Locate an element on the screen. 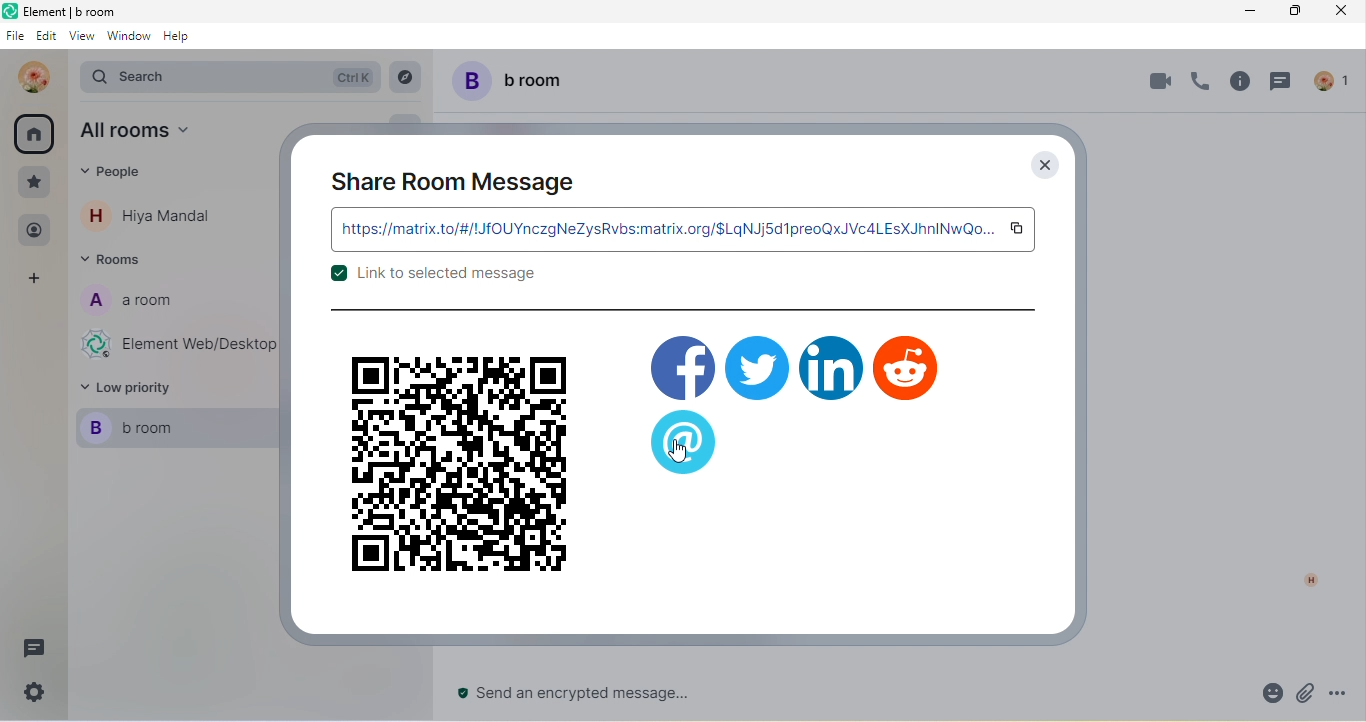 This screenshot has width=1366, height=722. file is located at coordinates (14, 38).